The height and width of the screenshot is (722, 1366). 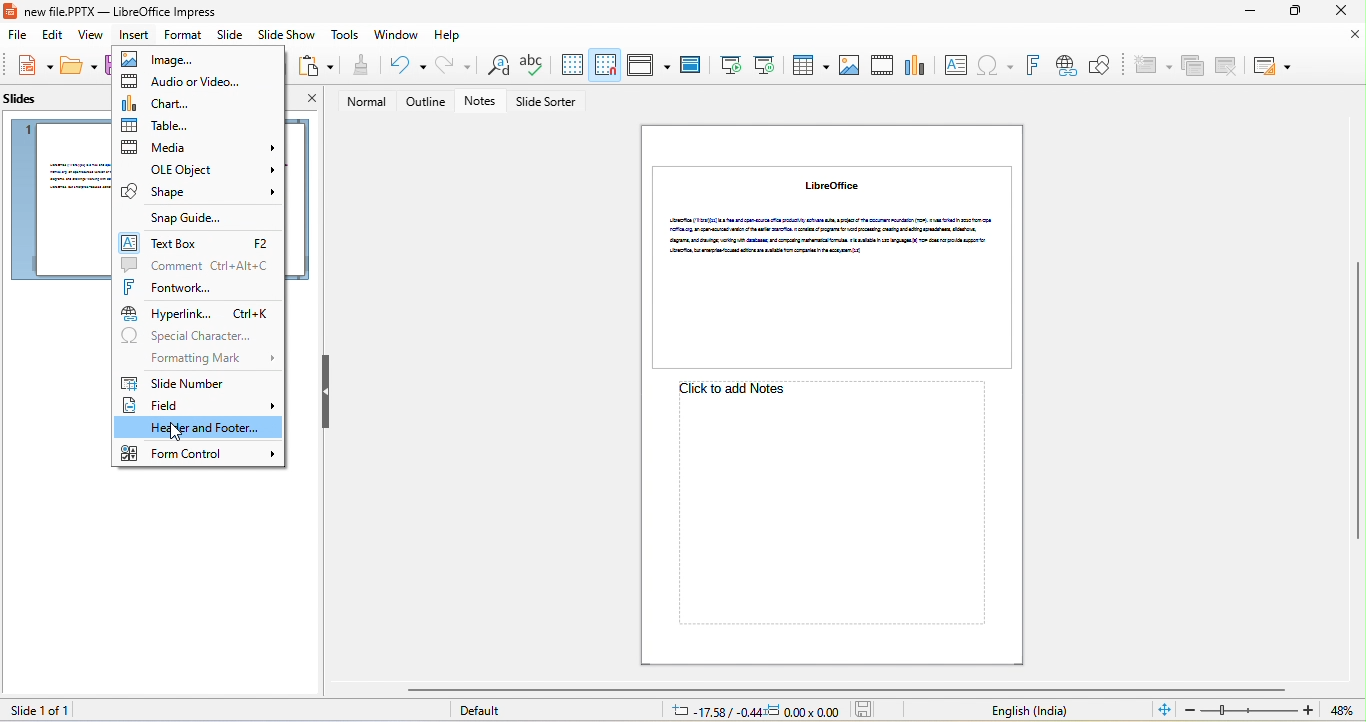 What do you see at coordinates (200, 192) in the screenshot?
I see `shape` at bounding box center [200, 192].